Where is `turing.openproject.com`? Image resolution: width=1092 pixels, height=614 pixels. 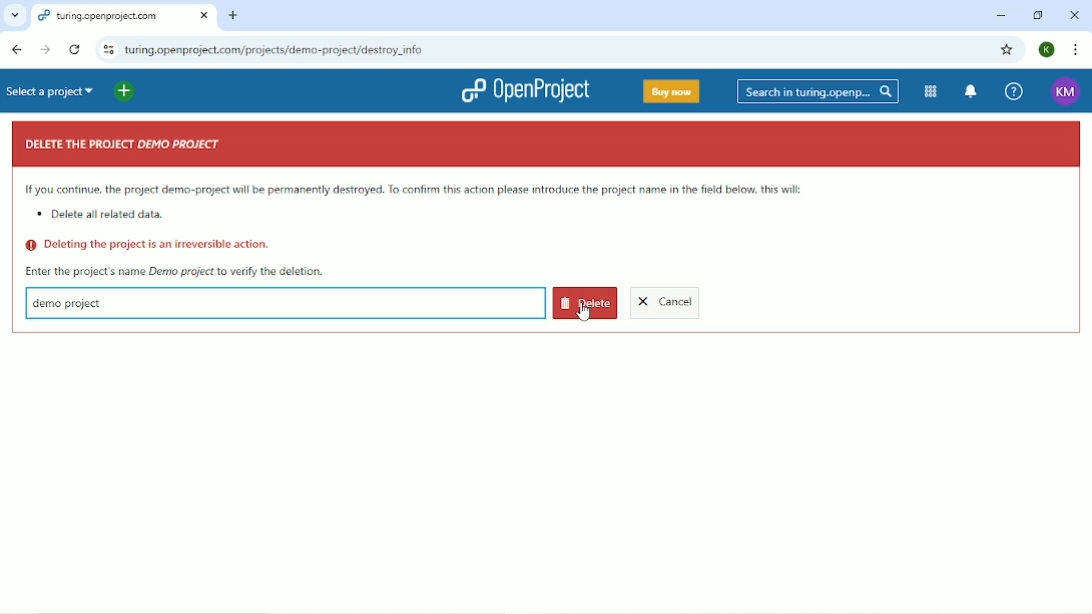
turing.openproject.com is located at coordinates (122, 17).